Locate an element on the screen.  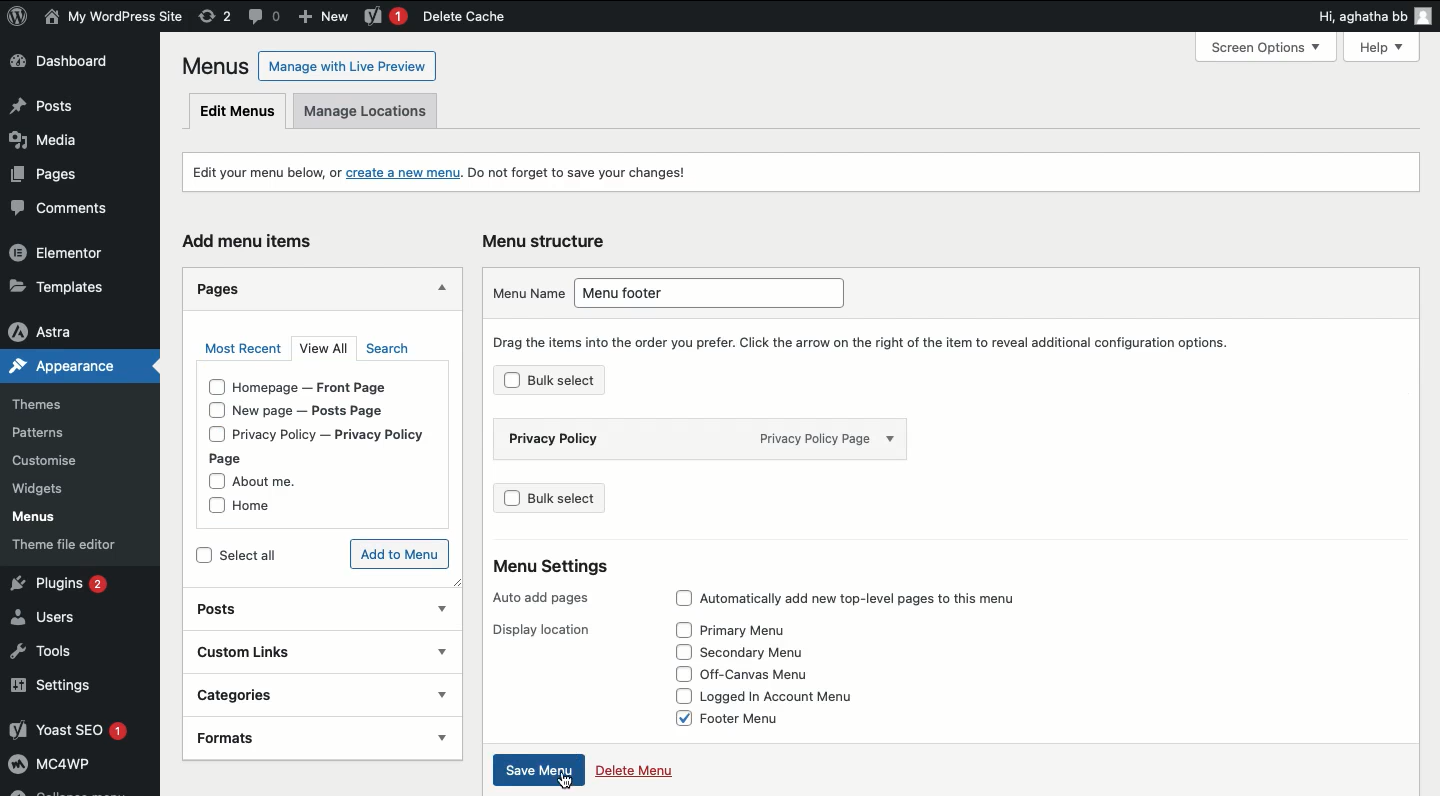
Check box is located at coordinates (675, 596).